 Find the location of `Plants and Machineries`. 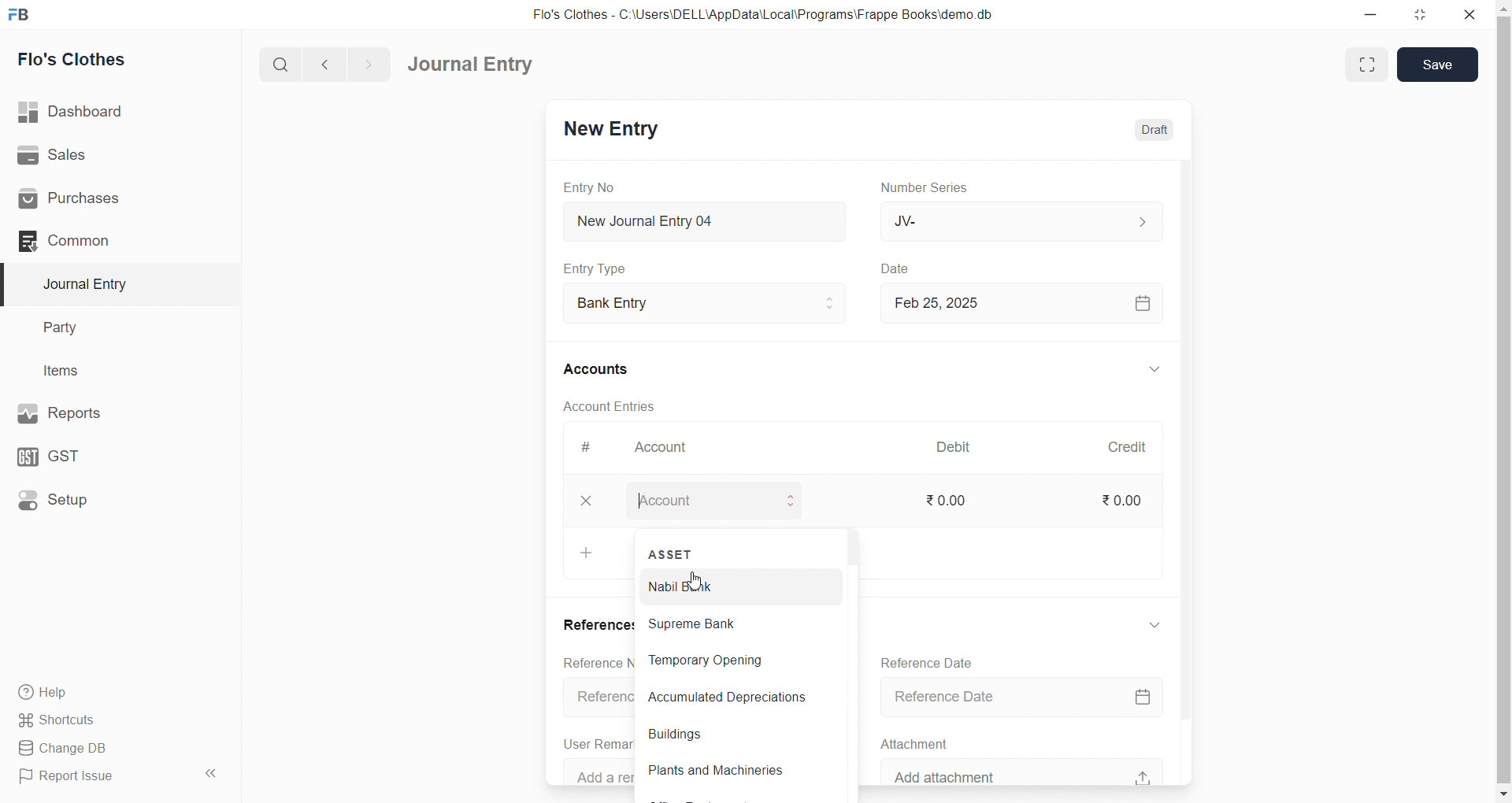

Plants and Machineries is located at coordinates (727, 770).